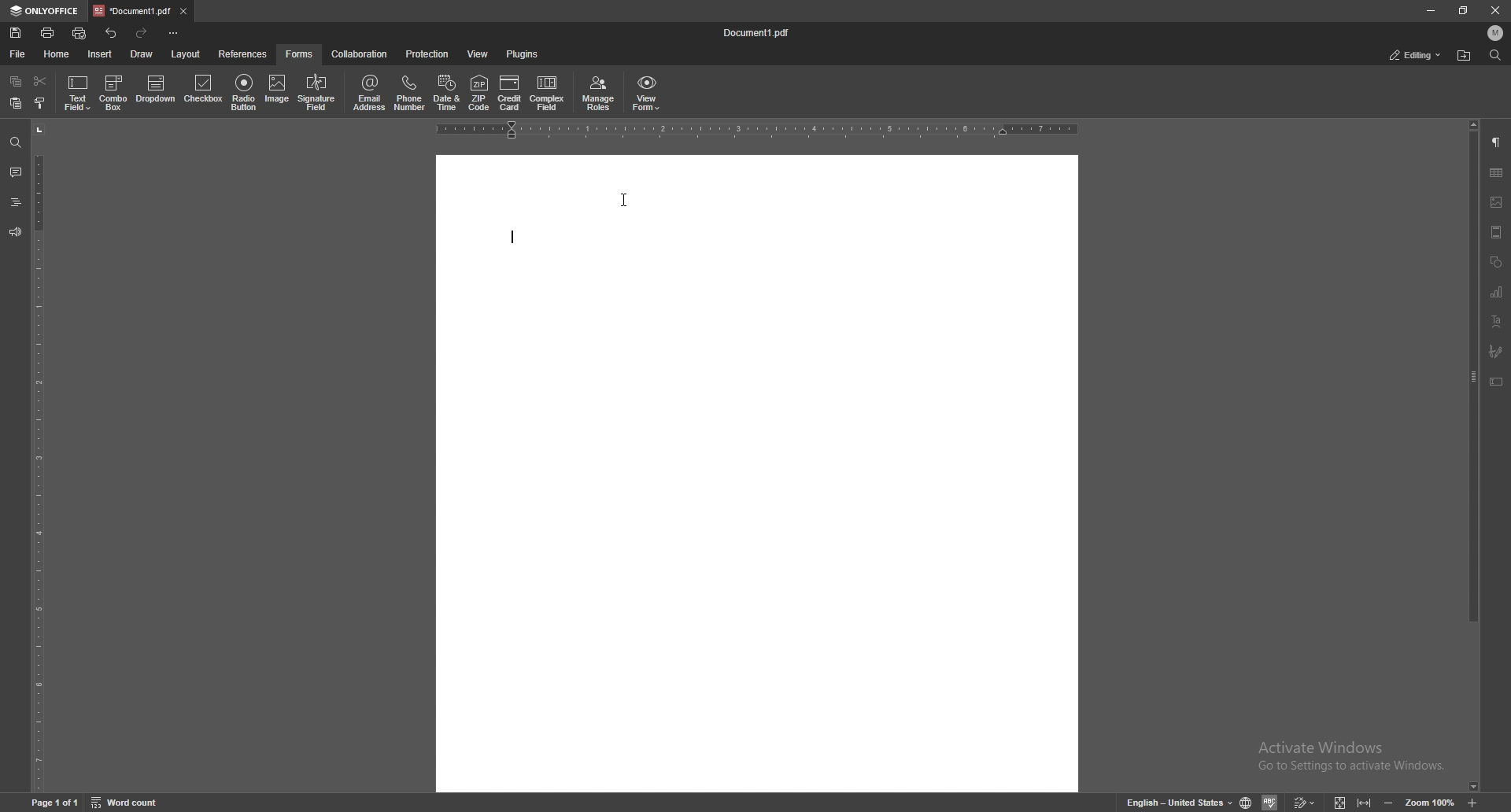 The width and height of the screenshot is (1511, 812). What do you see at coordinates (1497, 382) in the screenshot?
I see `text box` at bounding box center [1497, 382].